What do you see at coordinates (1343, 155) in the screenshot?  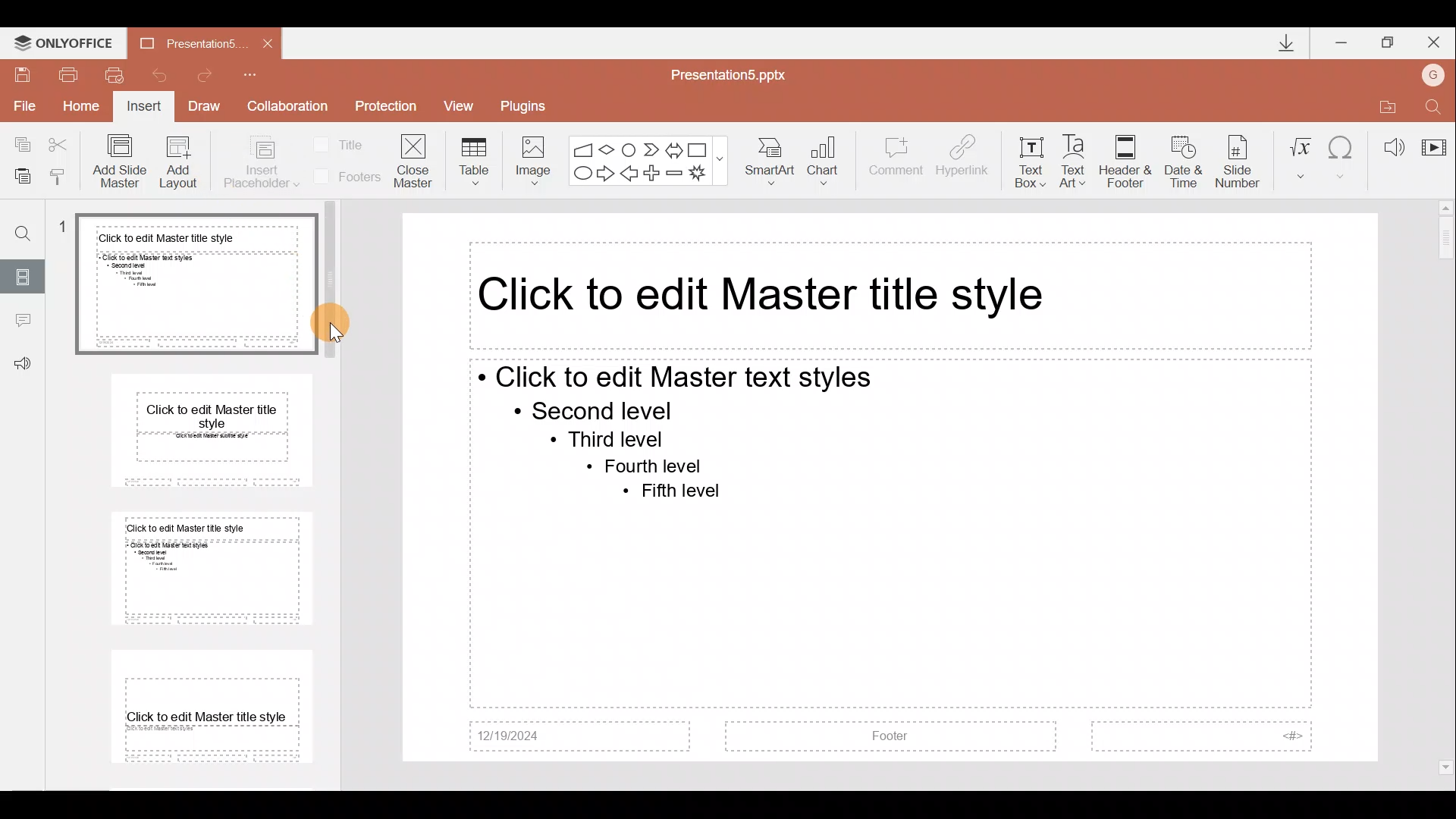 I see `Symbol` at bounding box center [1343, 155].